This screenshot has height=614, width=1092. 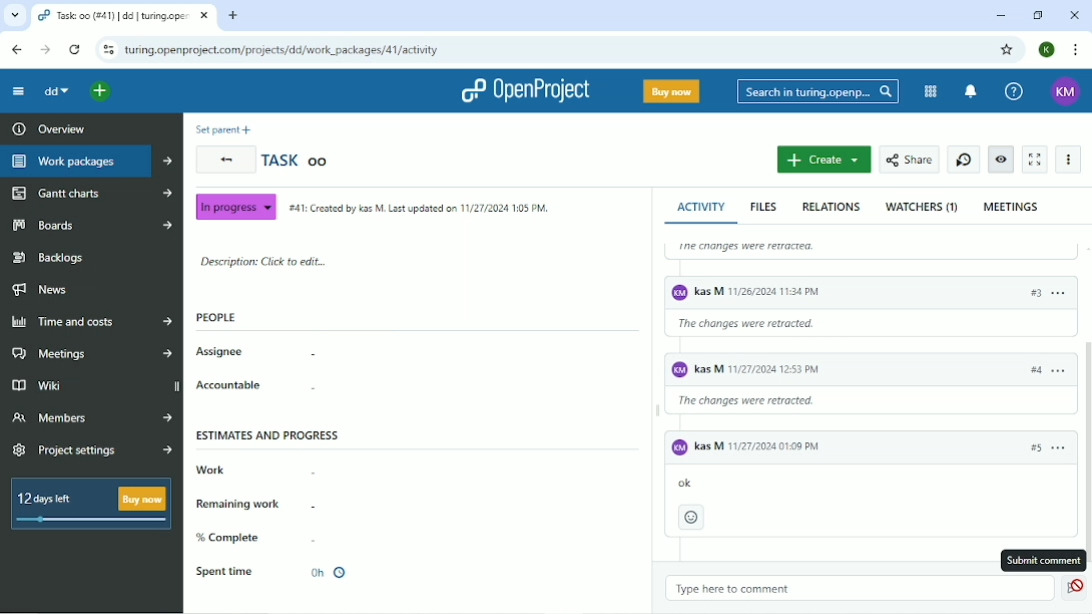 I want to click on 12 days left Buy now, so click(x=87, y=503).